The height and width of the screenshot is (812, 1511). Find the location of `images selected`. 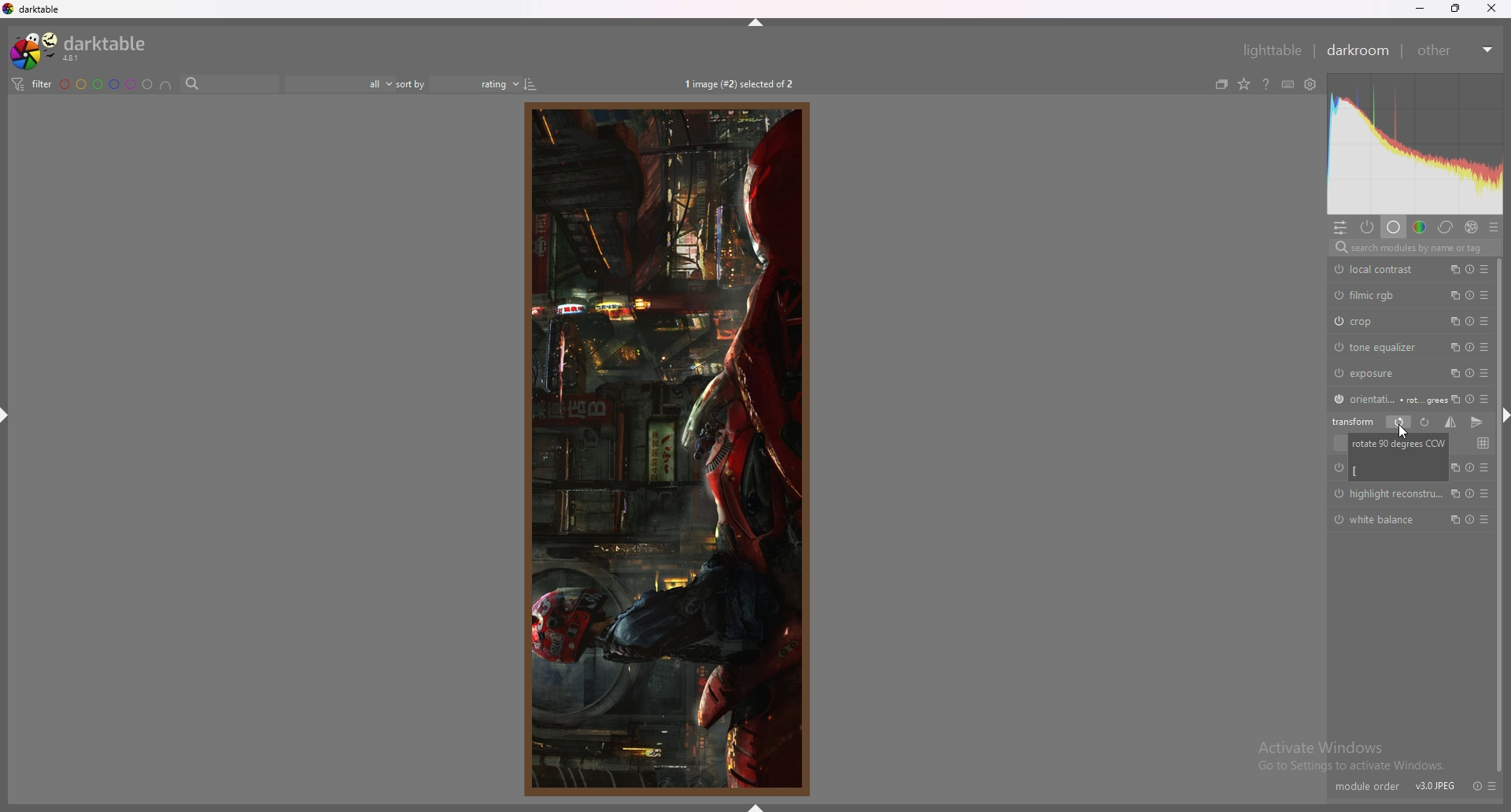

images selected is located at coordinates (740, 84).